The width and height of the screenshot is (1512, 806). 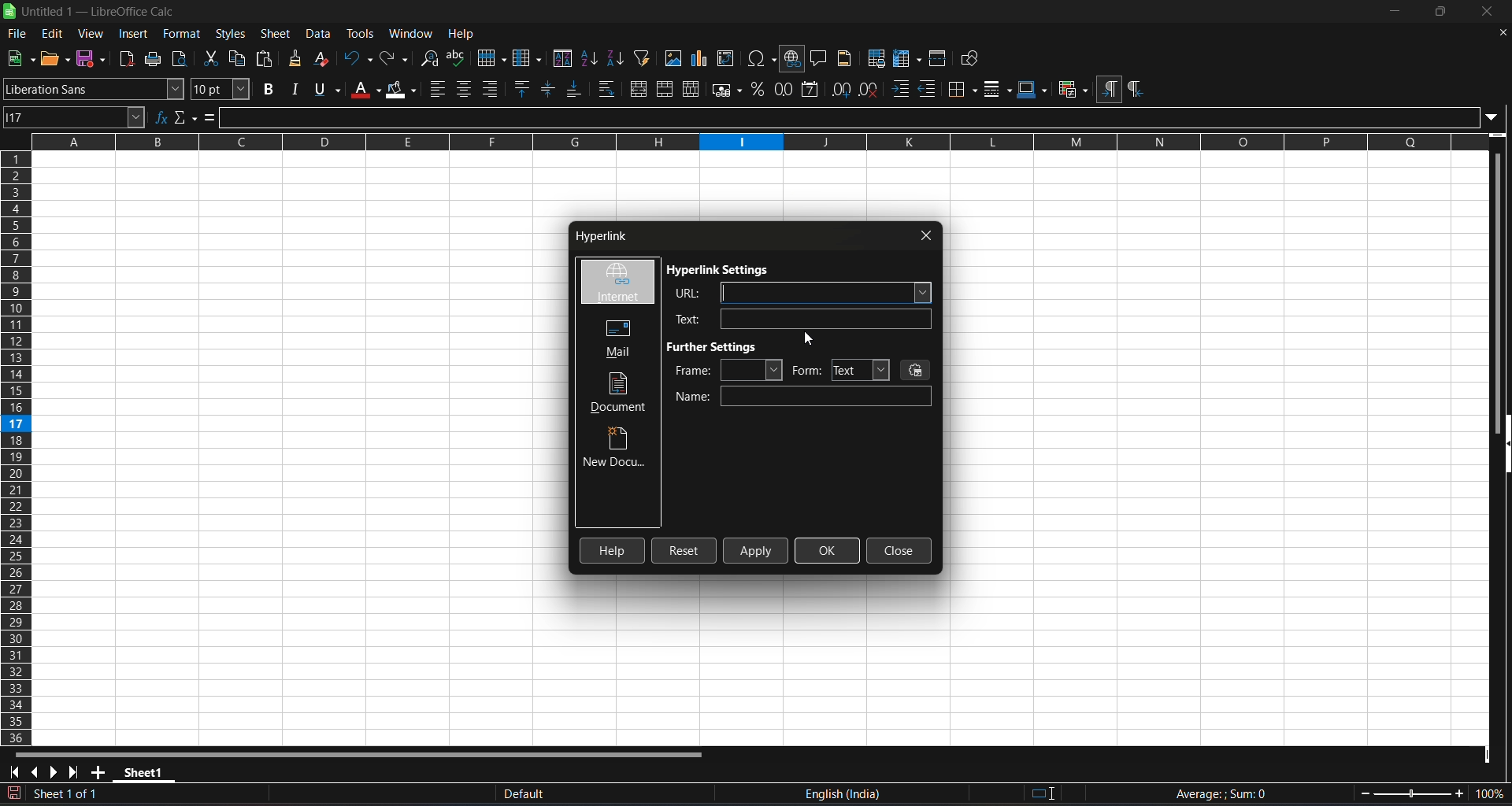 What do you see at coordinates (574, 89) in the screenshot?
I see `align bottom` at bounding box center [574, 89].